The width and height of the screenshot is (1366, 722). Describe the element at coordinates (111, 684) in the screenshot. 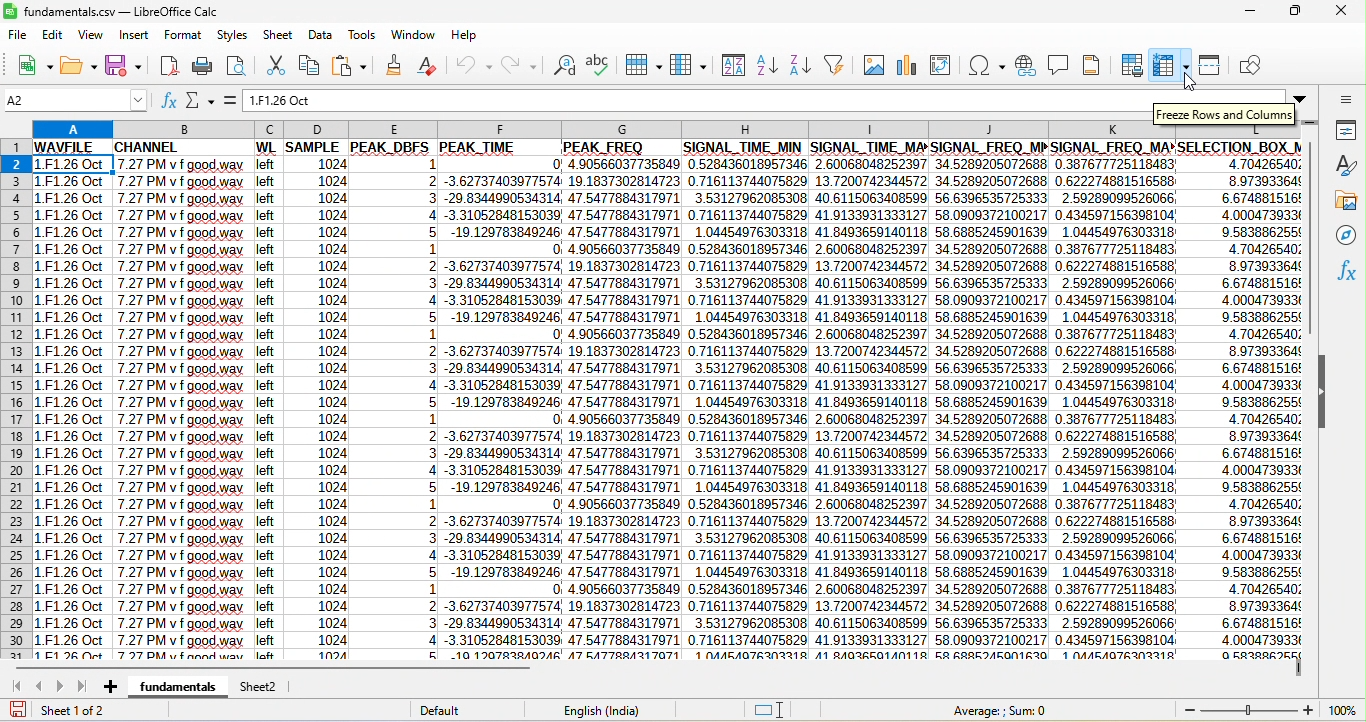

I see `add sheet` at that location.